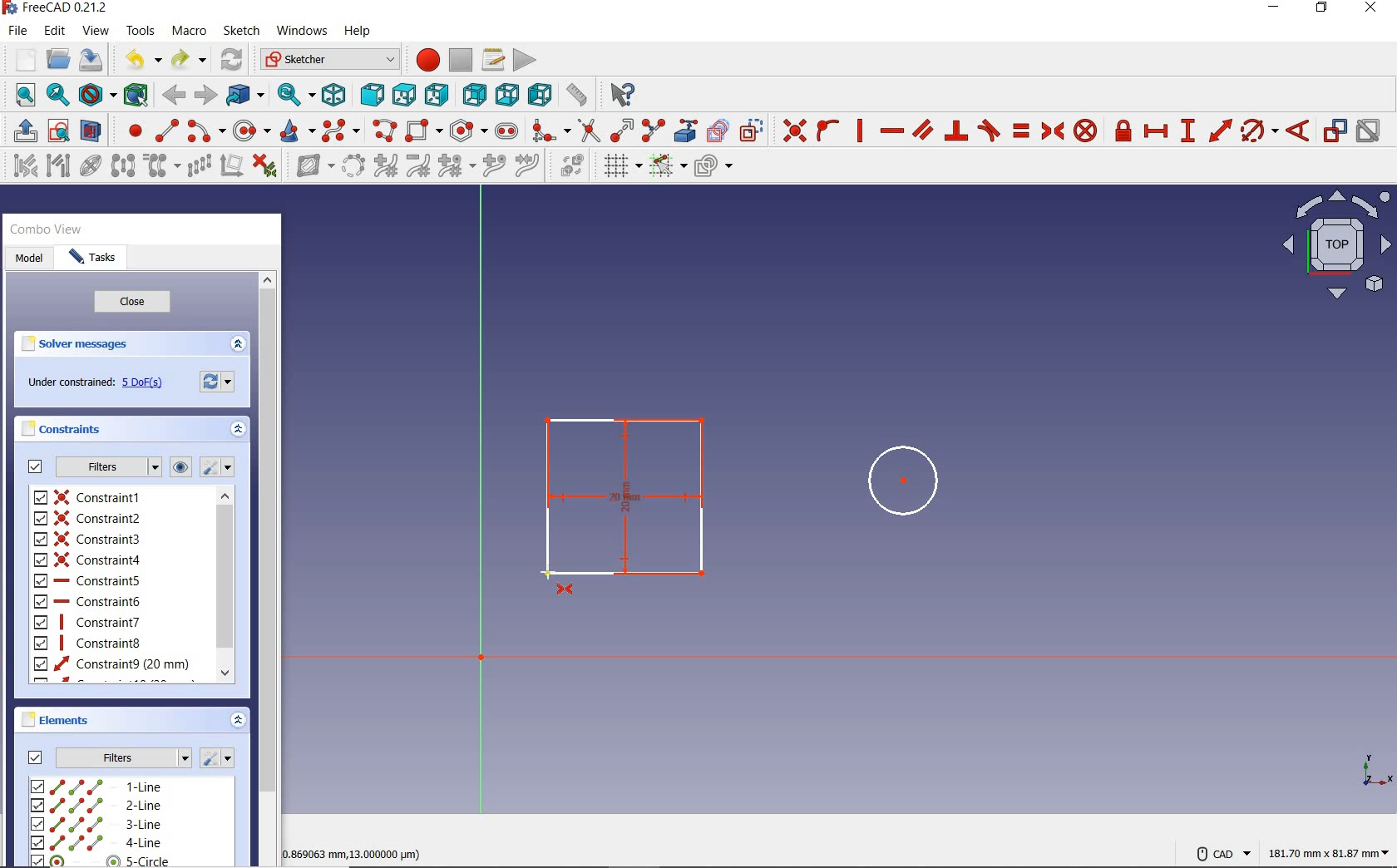 The height and width of the screenshot is (868, 1397). I want to click on fit all, so click(20, 96).